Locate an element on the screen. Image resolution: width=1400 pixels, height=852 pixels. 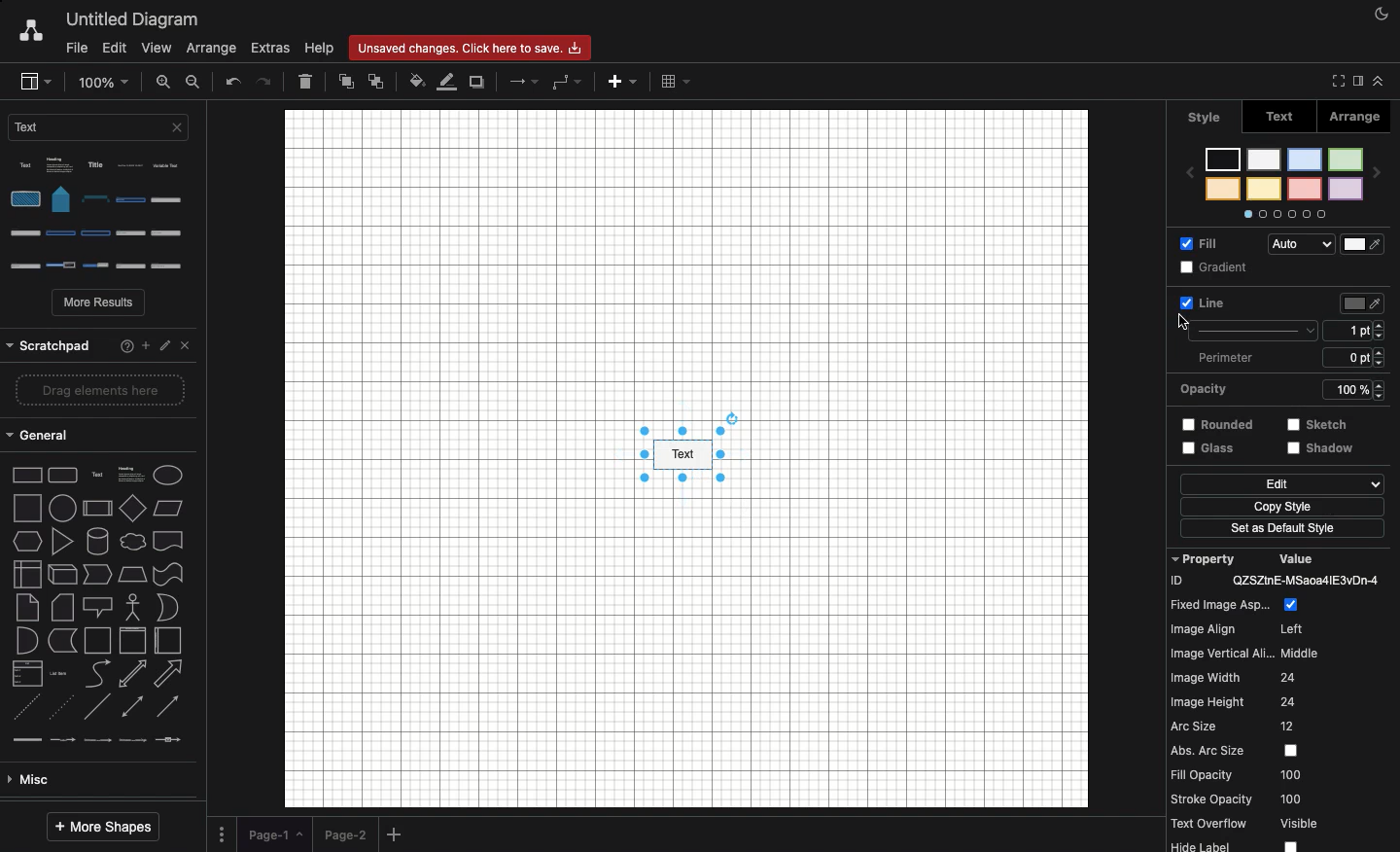
Extras is located at coordinates (271, 49).